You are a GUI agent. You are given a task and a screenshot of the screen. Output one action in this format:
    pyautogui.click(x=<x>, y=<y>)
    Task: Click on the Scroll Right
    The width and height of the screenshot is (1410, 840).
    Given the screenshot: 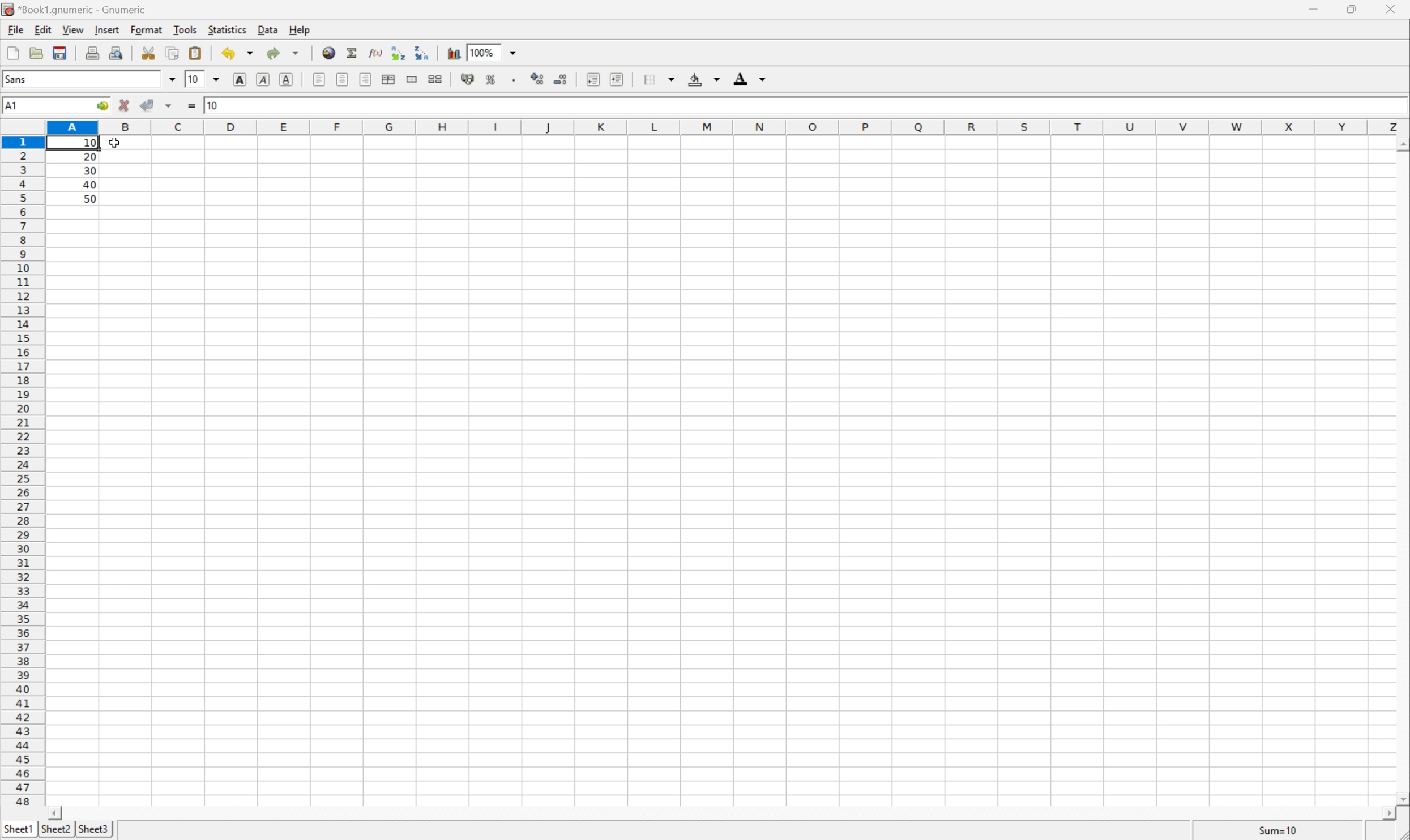 What is the action you would take?
    pyautogui.click(x=1385, y=814)
    